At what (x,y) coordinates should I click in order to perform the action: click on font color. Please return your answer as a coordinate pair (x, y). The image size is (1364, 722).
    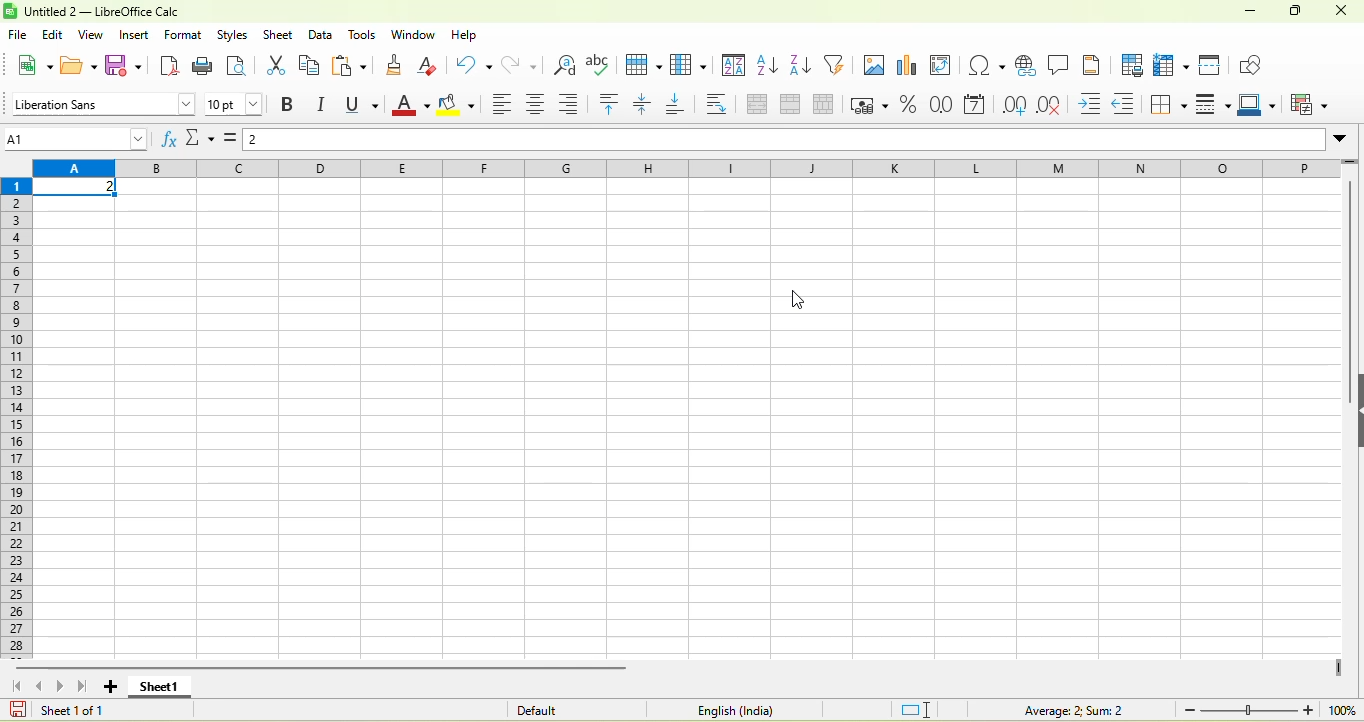
    Looking at the image, I should click on (416, 106).